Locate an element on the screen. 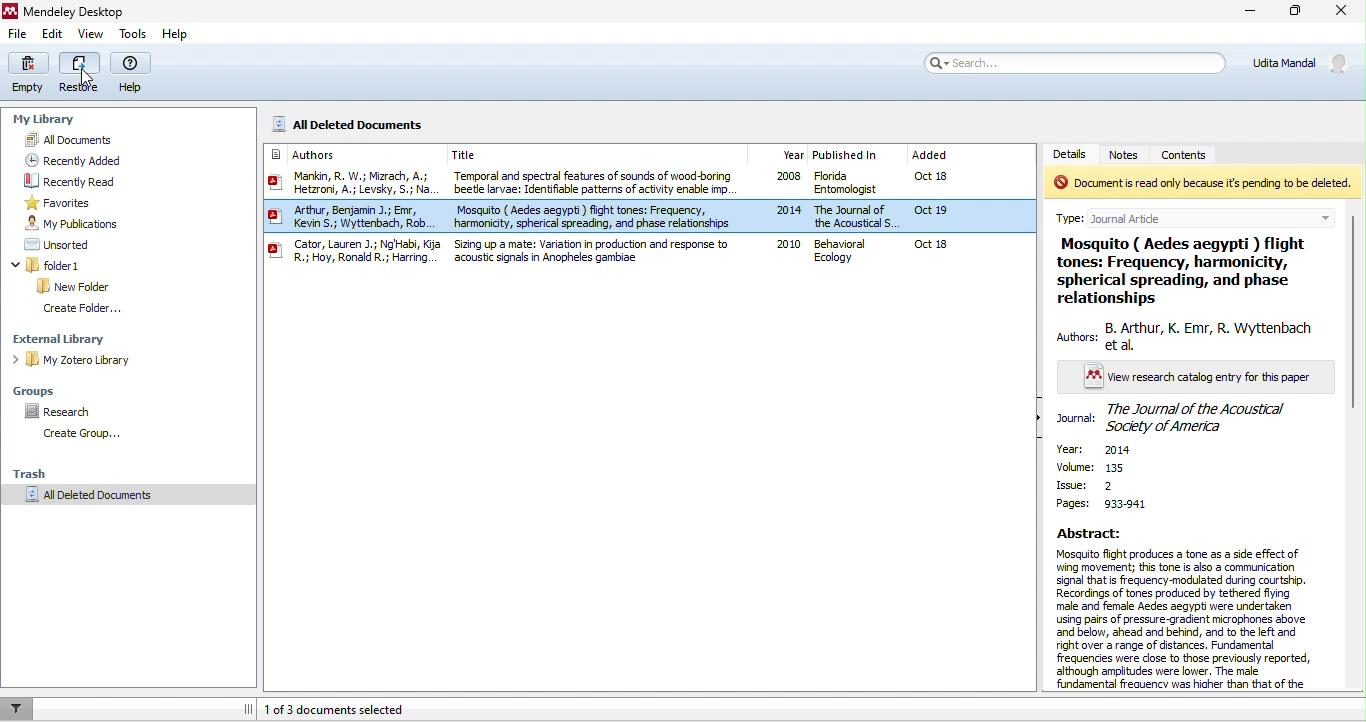 Image resolution: width=1366 pixels, height=722 pixels. 2008 2014 2010 is located at coordinates (781, 216).